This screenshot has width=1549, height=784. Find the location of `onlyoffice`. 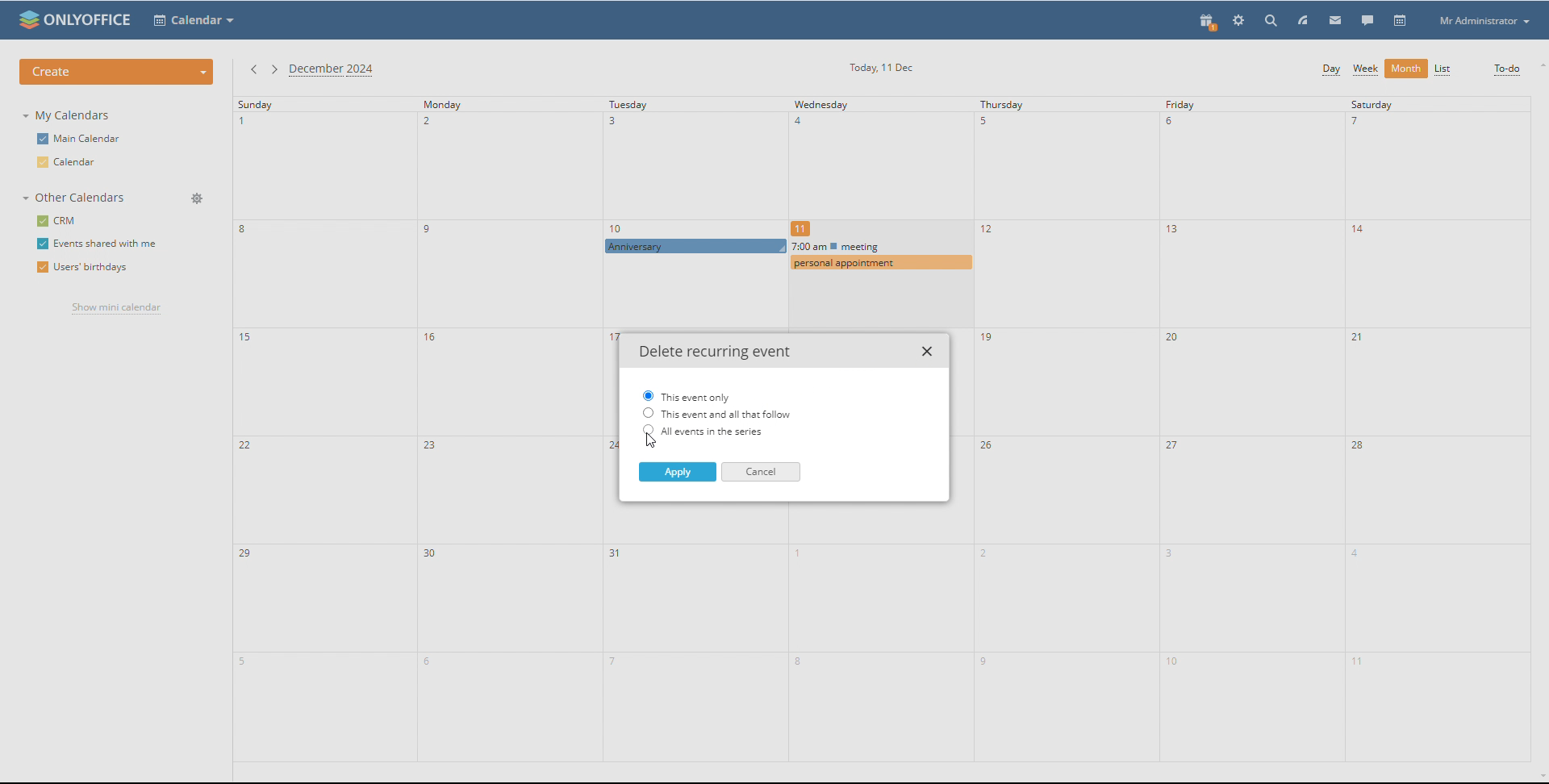

onlyoffice is located at coordinates (90, 21).